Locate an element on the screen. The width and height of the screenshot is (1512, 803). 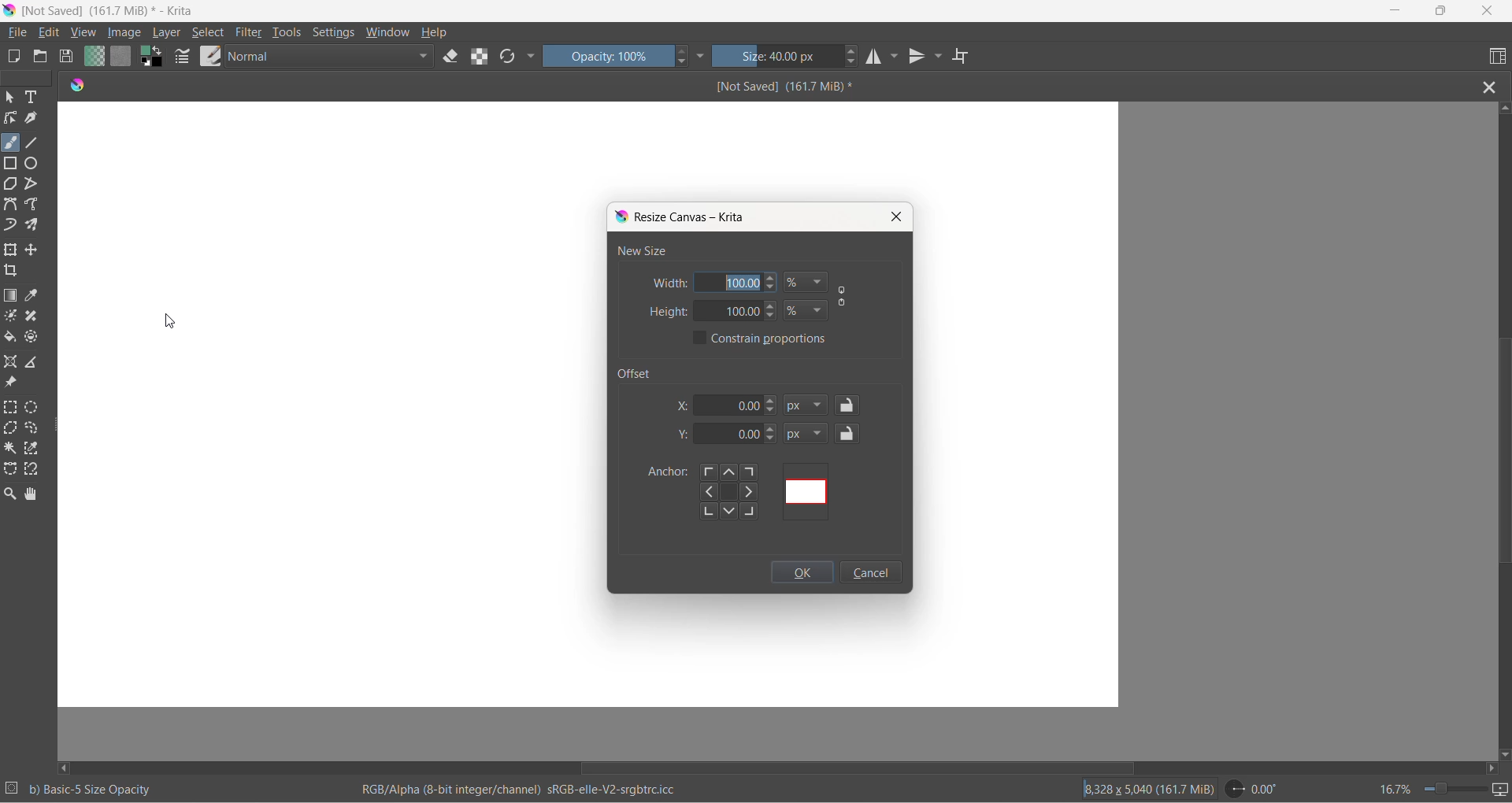
reload the original presets is located at coordinates (510, 58).